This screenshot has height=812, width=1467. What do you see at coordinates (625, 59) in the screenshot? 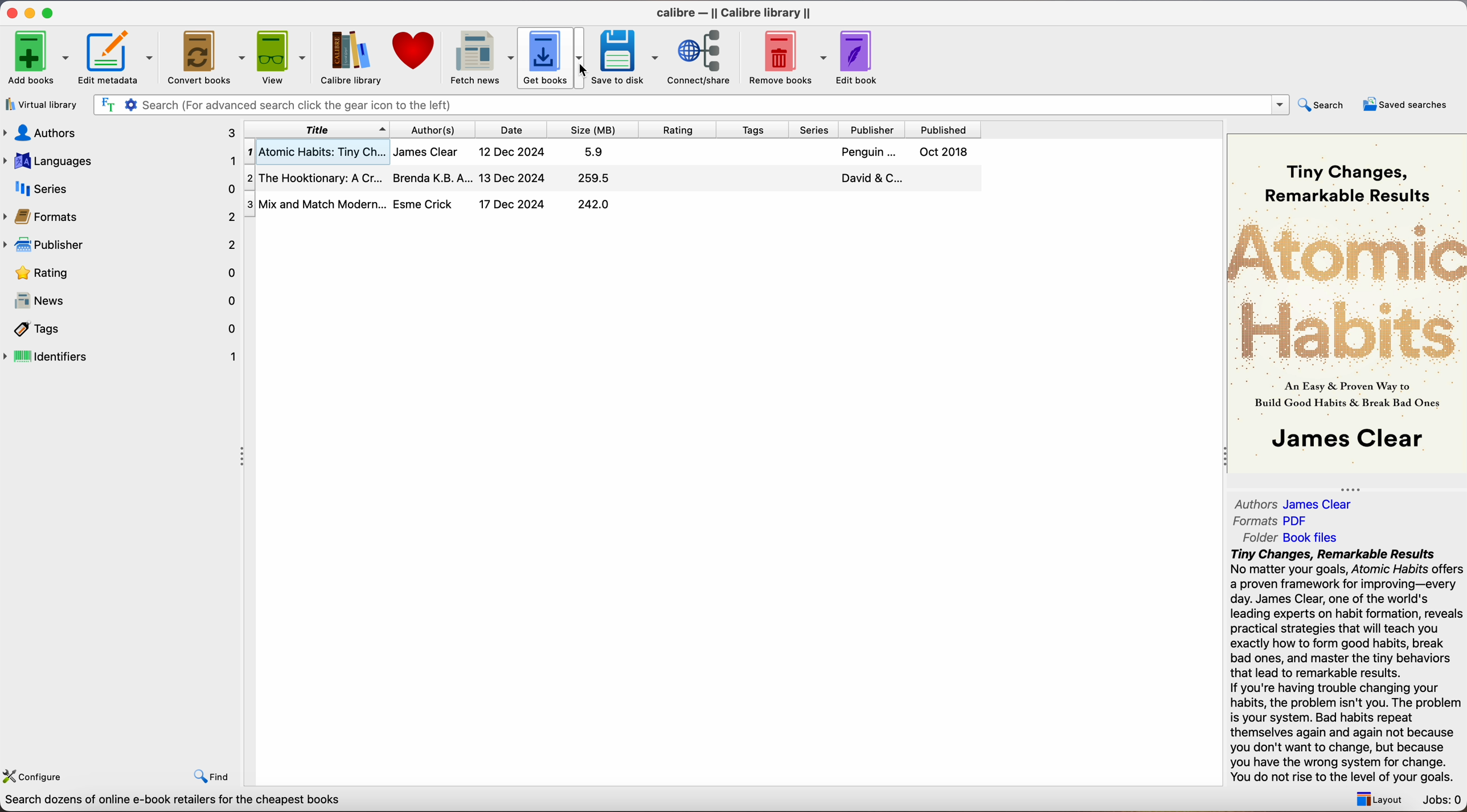
I see `save to disk` at bounding box center [625, 59].